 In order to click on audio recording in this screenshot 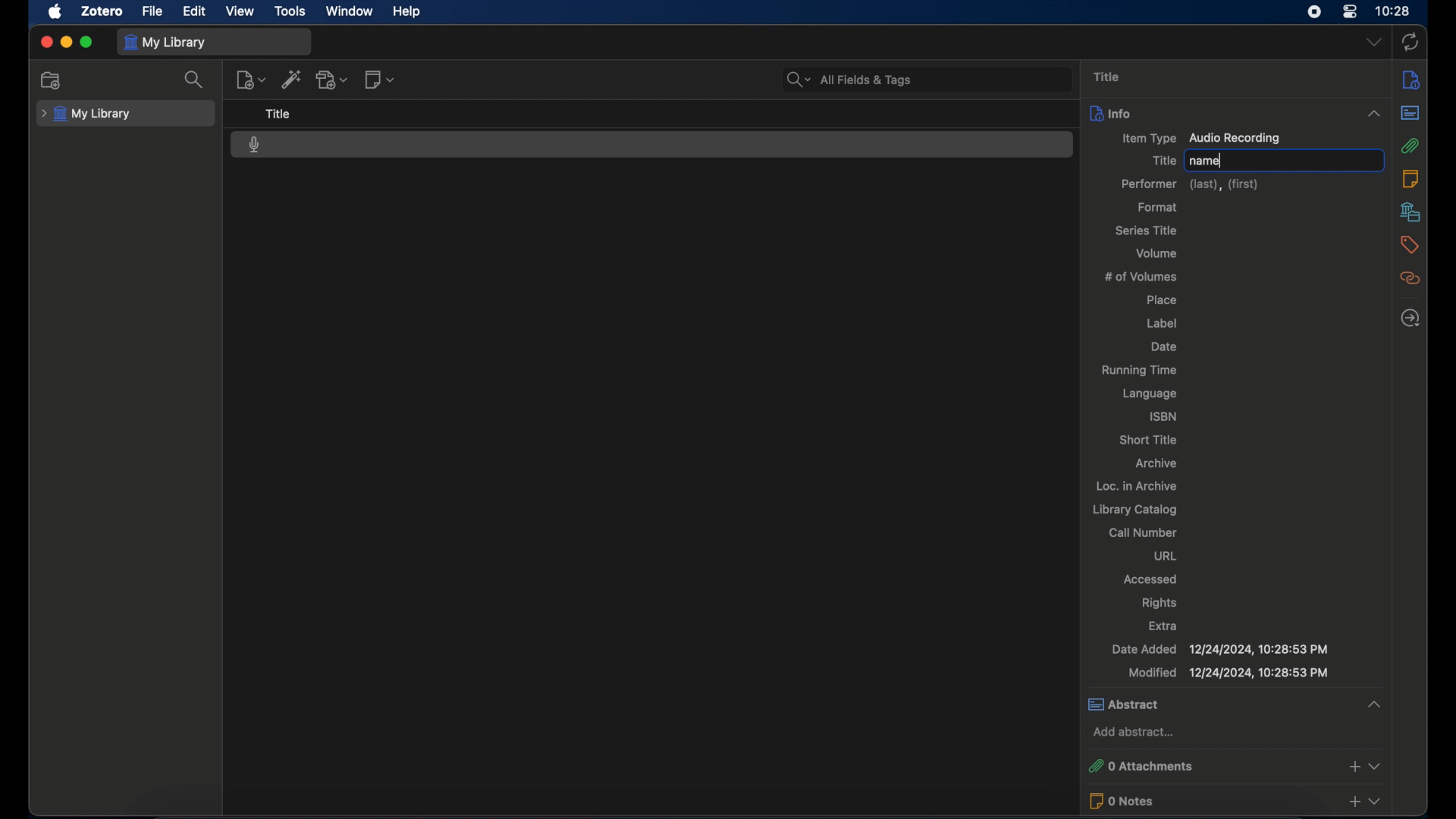, I will do `click(255, 145)`.